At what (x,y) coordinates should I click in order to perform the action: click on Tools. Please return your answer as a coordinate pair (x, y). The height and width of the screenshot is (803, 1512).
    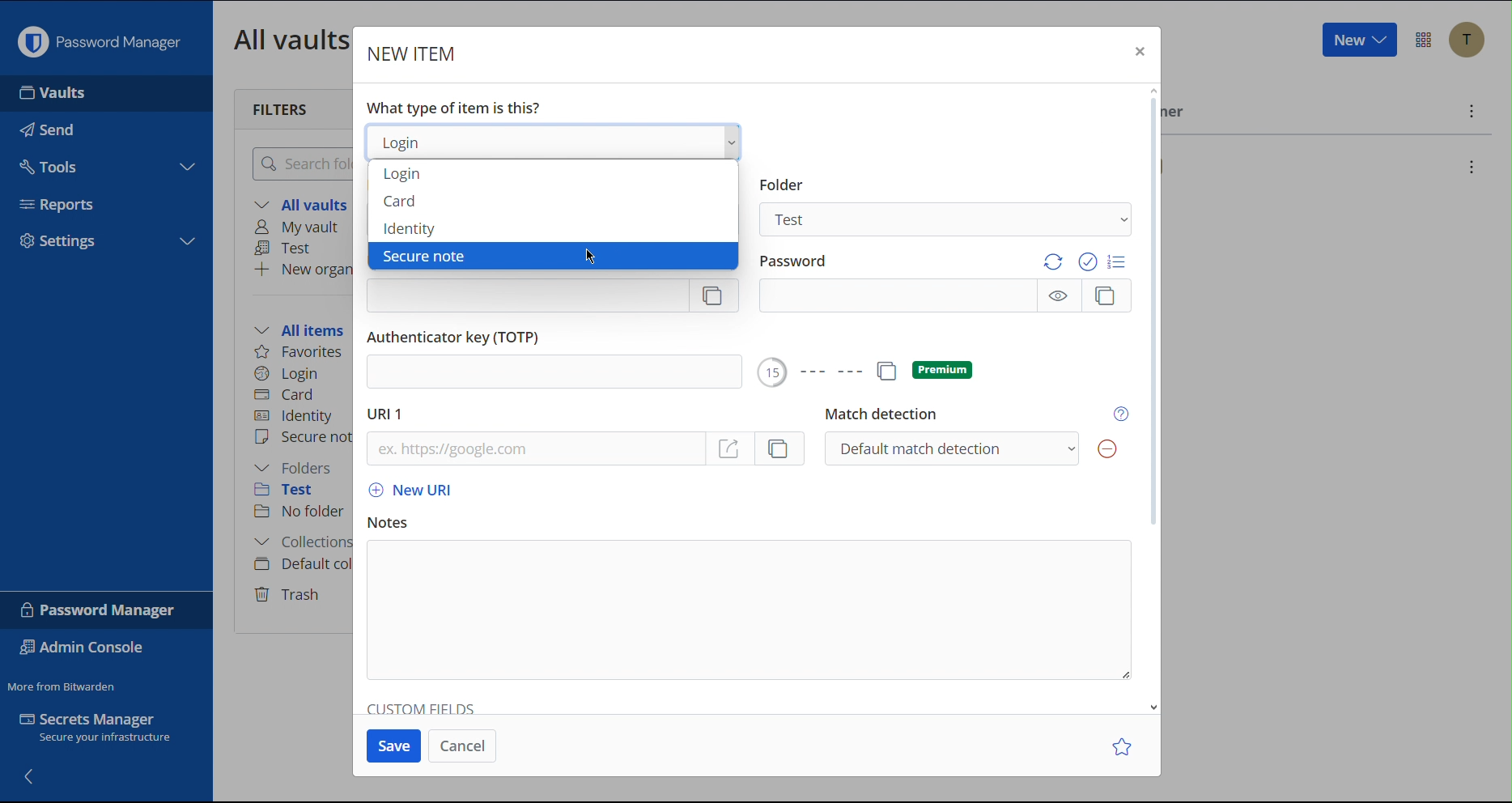
    Looking at the image, I should click on (104, 163).